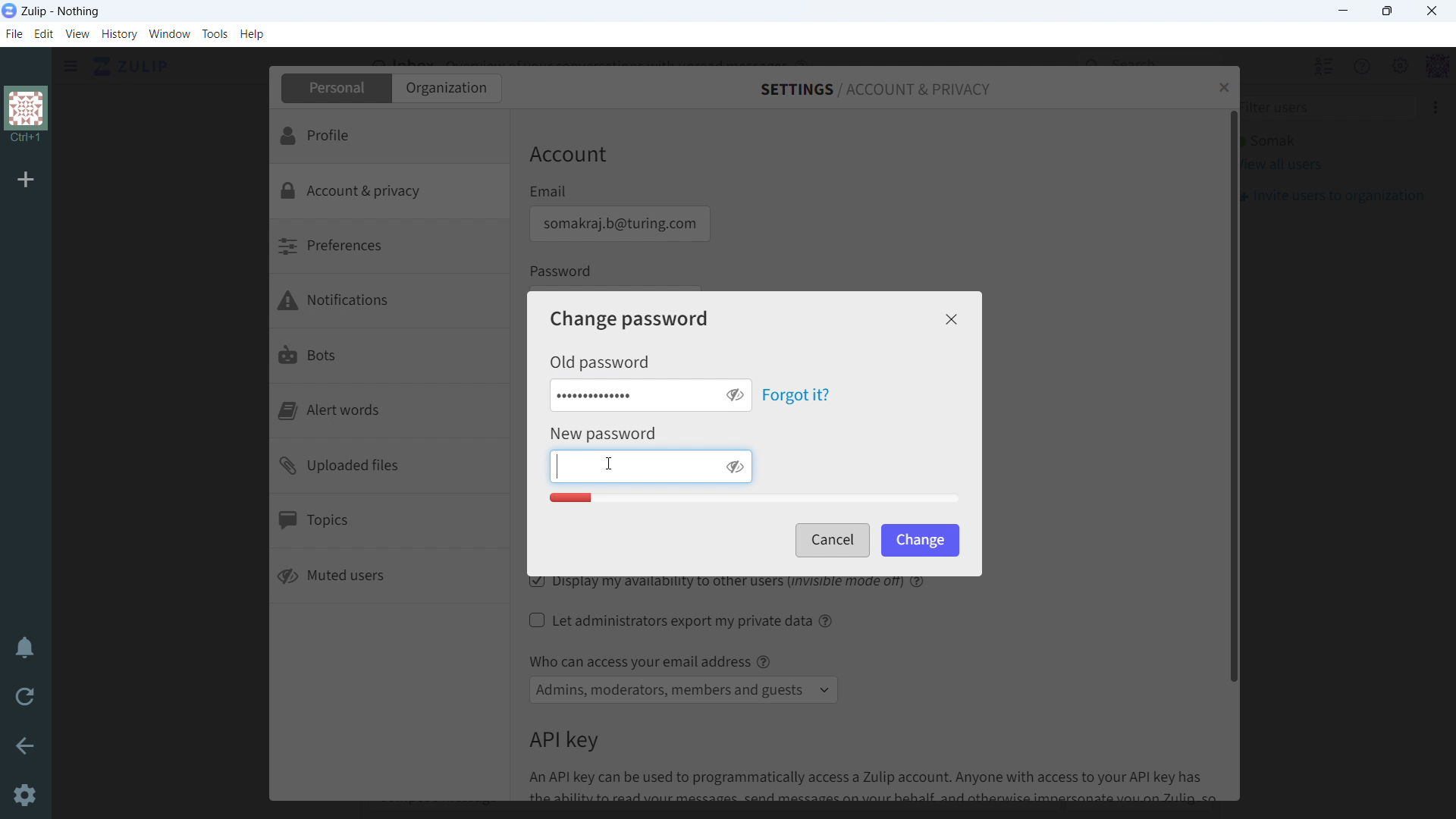  Describe the element at coordinates (252, 33) in the screenshot. I see `help` at that location.